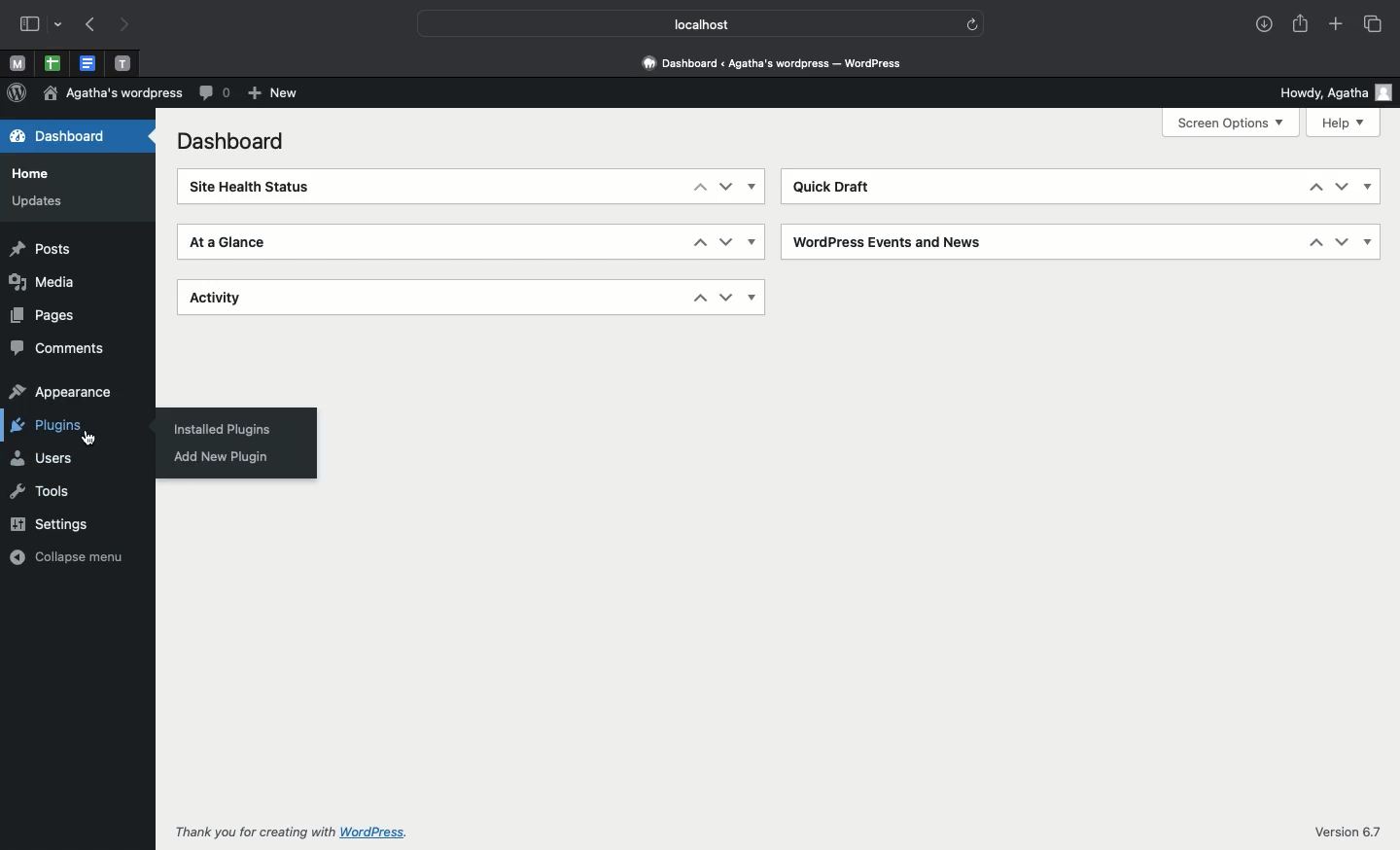 The height and width of the screenshot is (850, 1400). Describe the element at coordinates (87, 25) in the screenshot. I see `Previous page` at that location.